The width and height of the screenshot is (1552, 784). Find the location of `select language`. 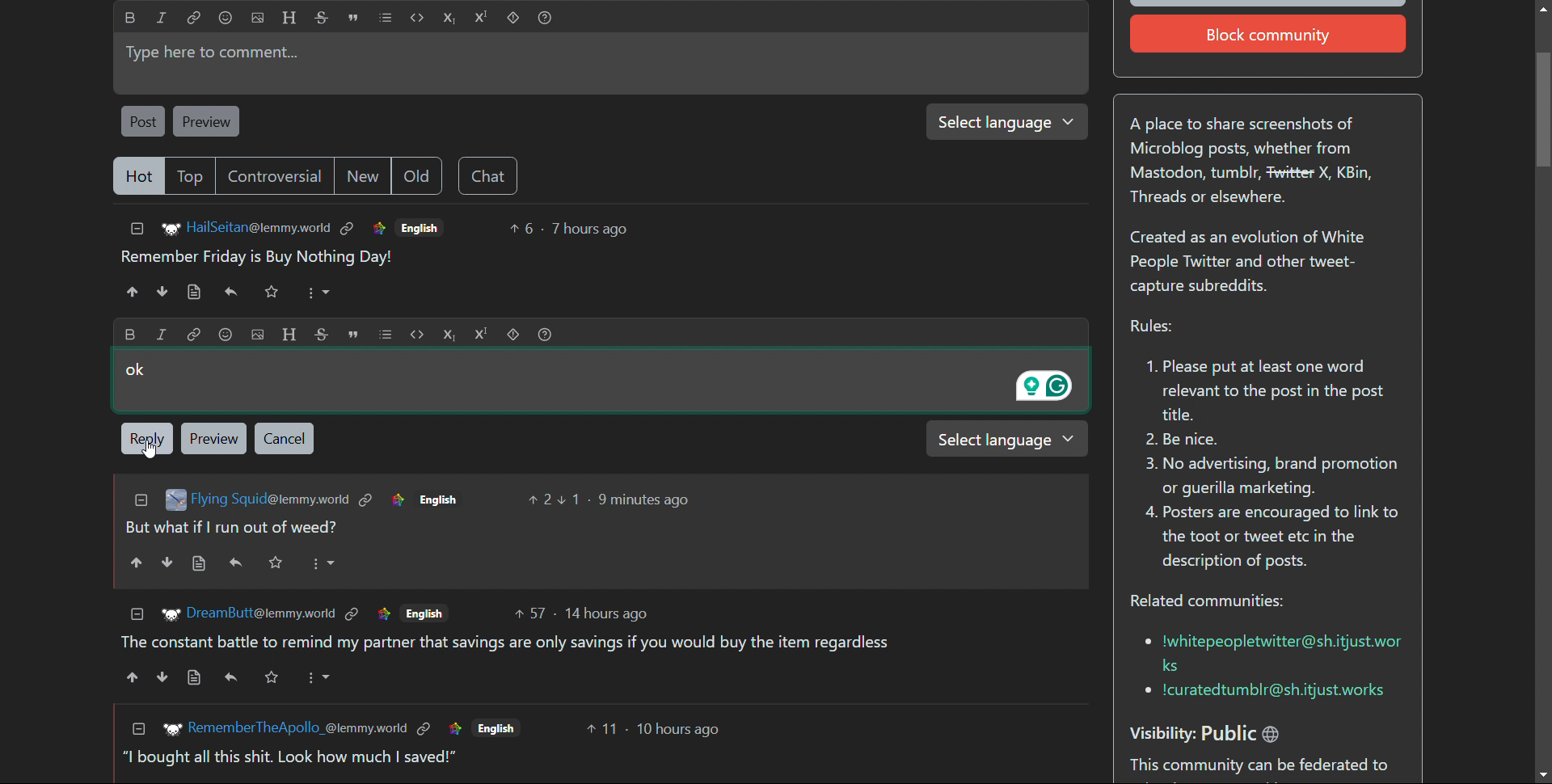

select language is located at coordinates (1008, 440).